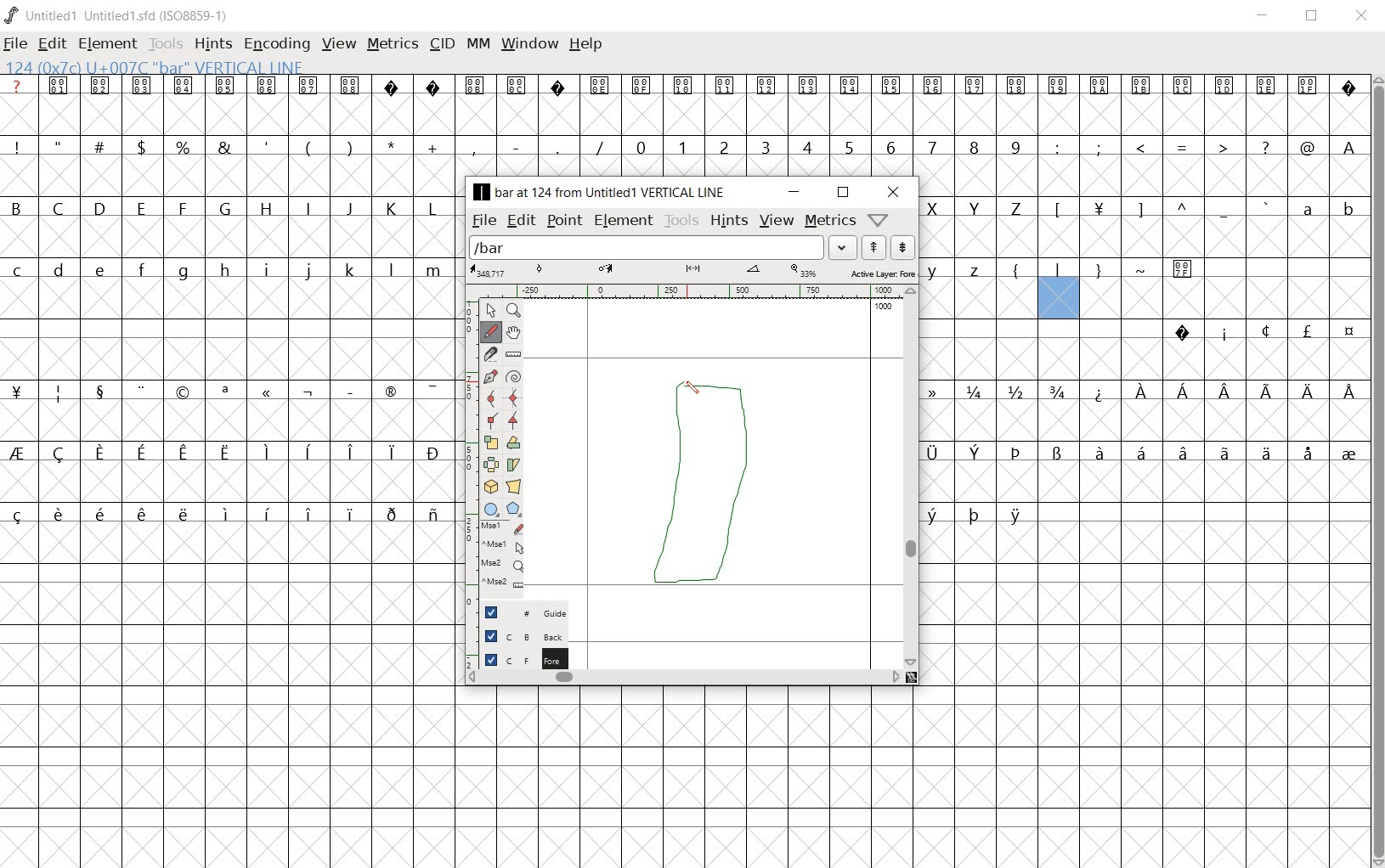 This screenshot has width=1385, height=868. What do you see at coordinates (699, 495) in the screenshot?
I see `glyph for a vertical bar creation` at bounding box center [699, 495].